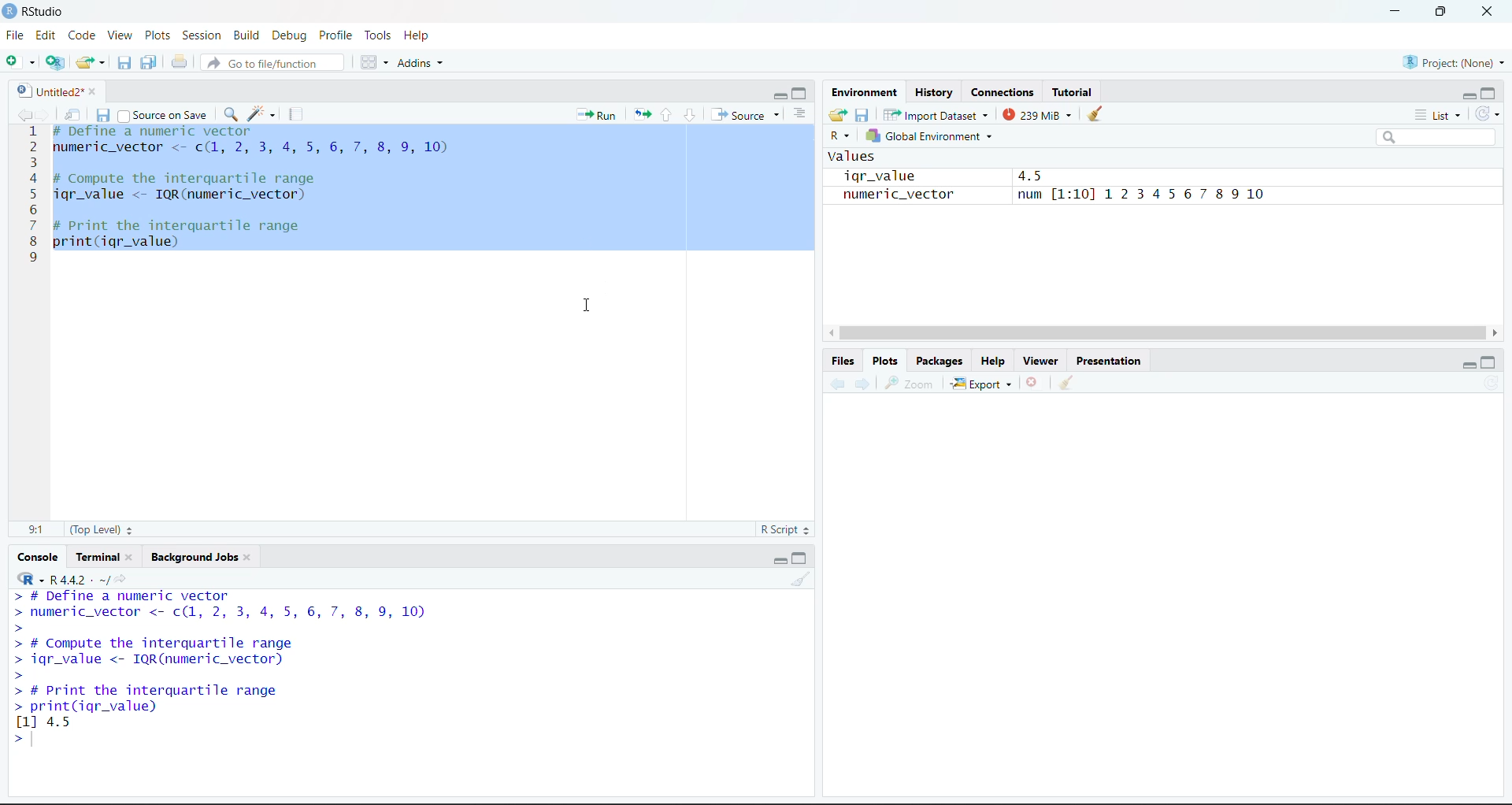  I want to click on Global Environment, so click(944, 138).